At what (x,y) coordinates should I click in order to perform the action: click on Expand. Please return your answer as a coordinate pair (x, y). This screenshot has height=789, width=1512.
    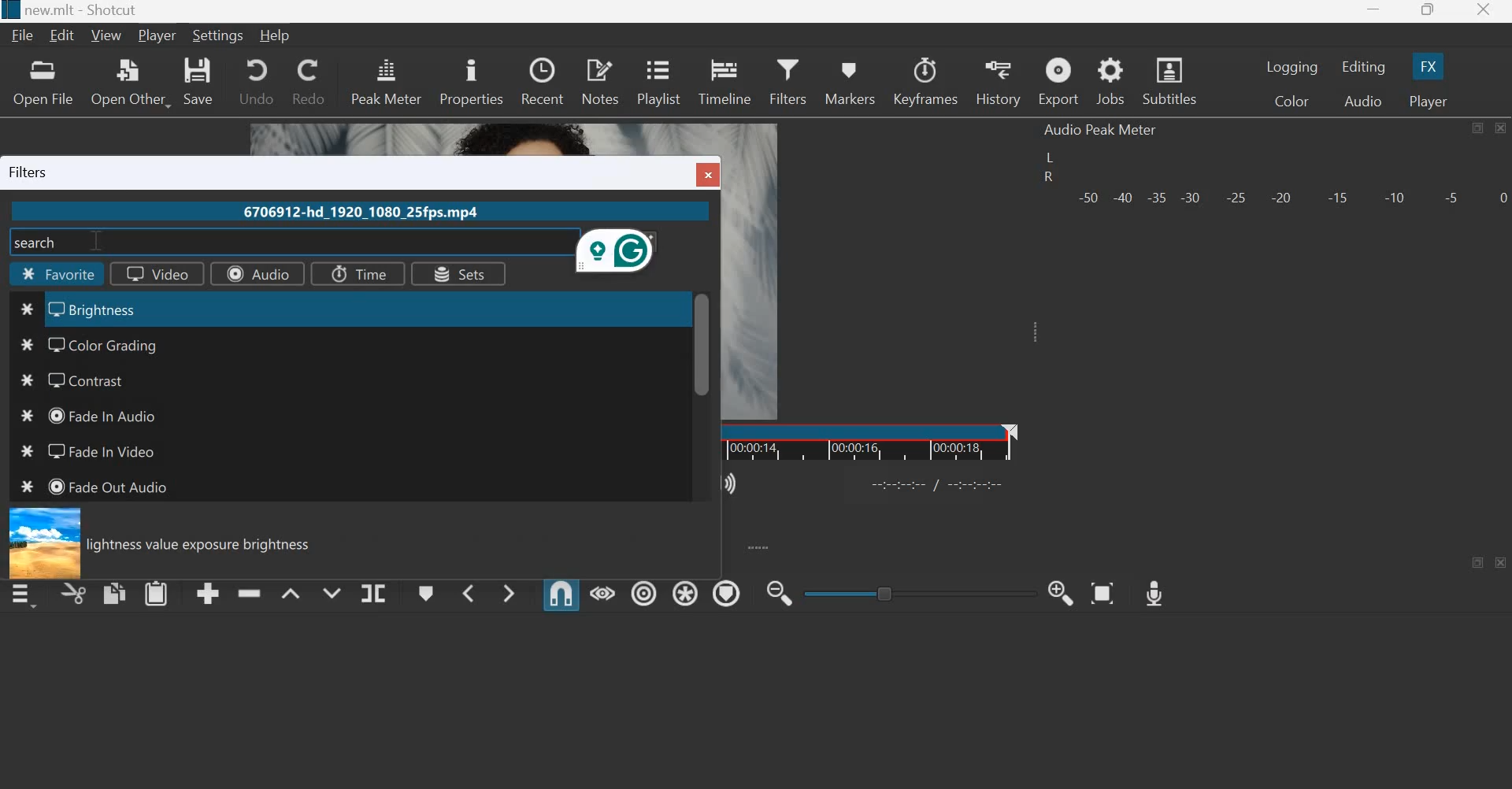
    Looking at the image, I should click on (1032, 332).